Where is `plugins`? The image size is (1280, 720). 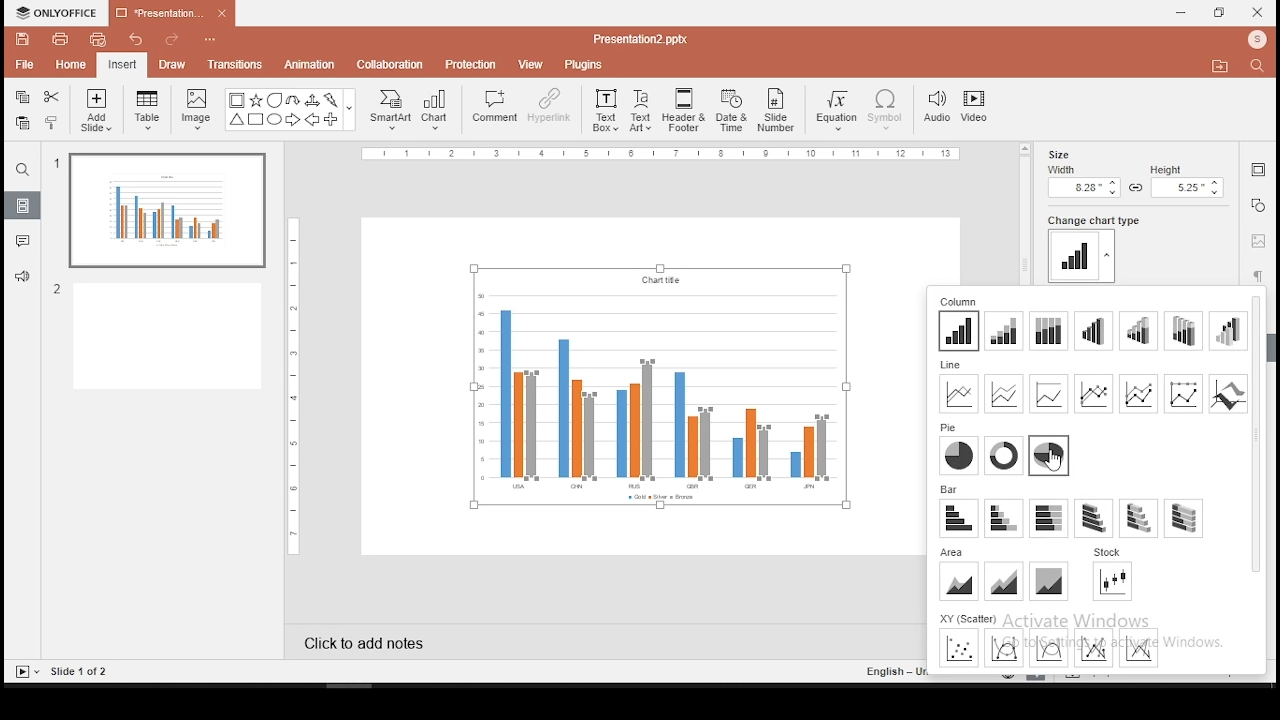
plugins is located at coordinates (582, 64).